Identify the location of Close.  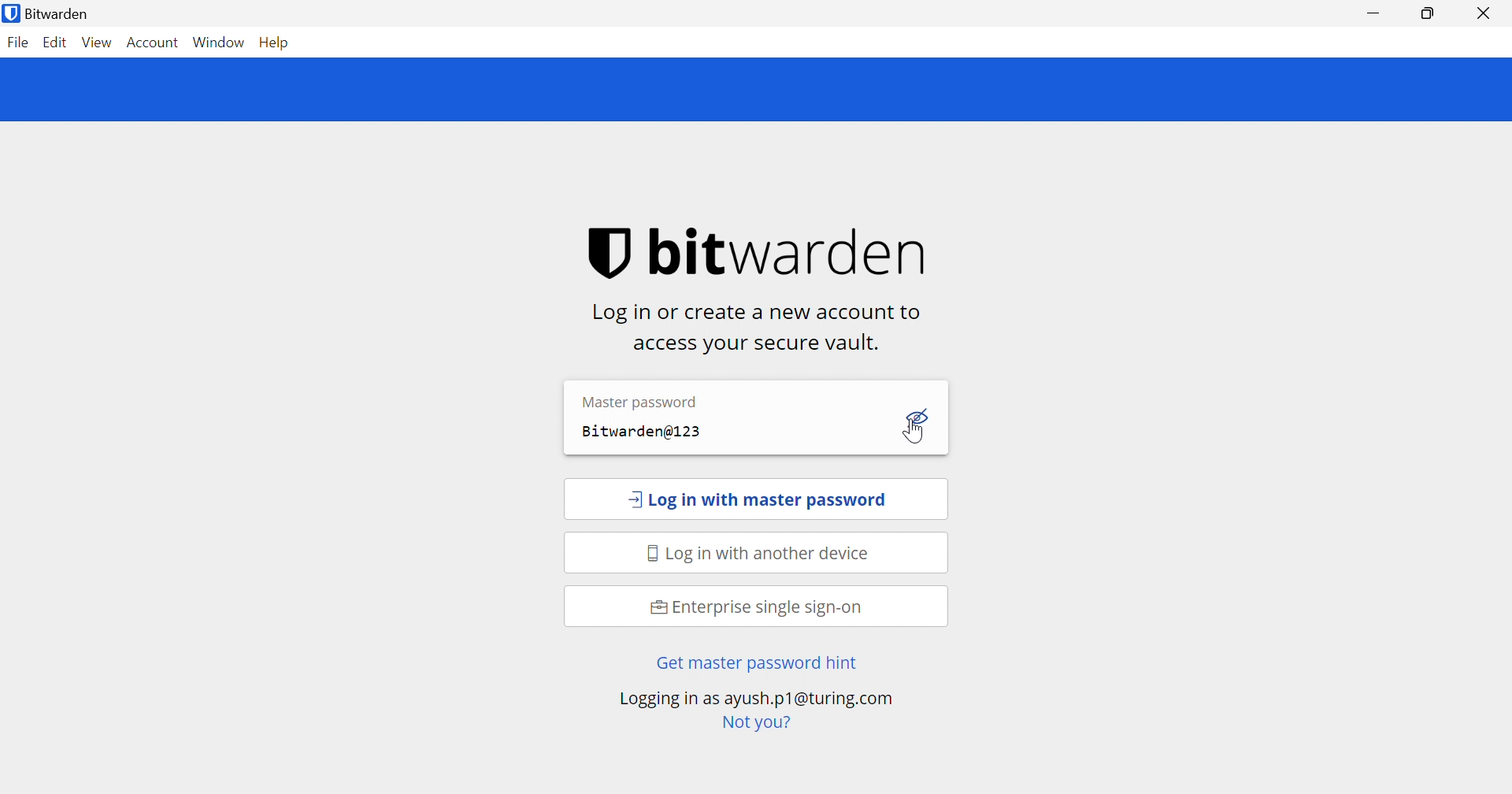
(1485, 14).